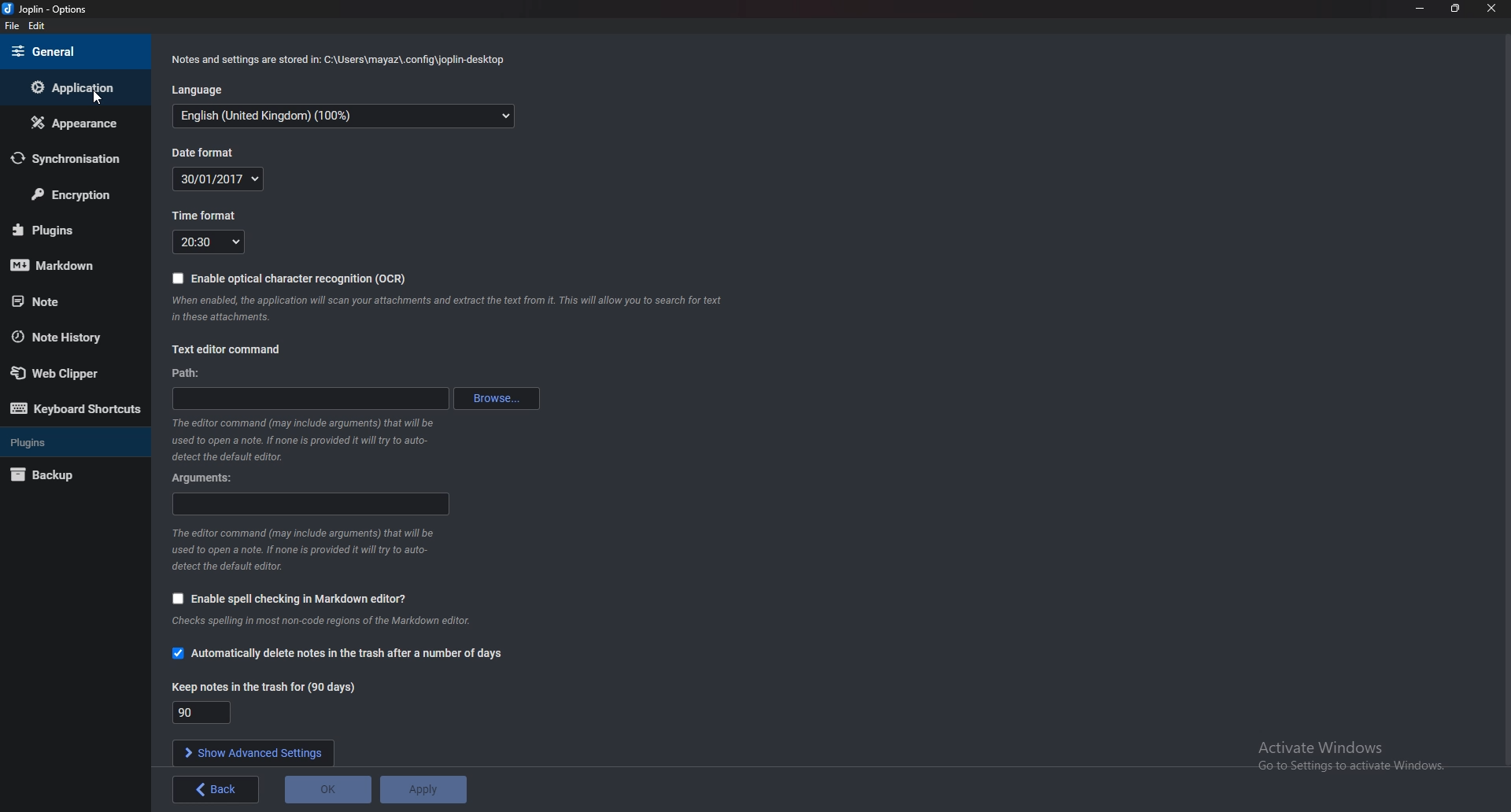 This screenshot has height=812, width=1511. I want to click on Info, so click(445, 311).